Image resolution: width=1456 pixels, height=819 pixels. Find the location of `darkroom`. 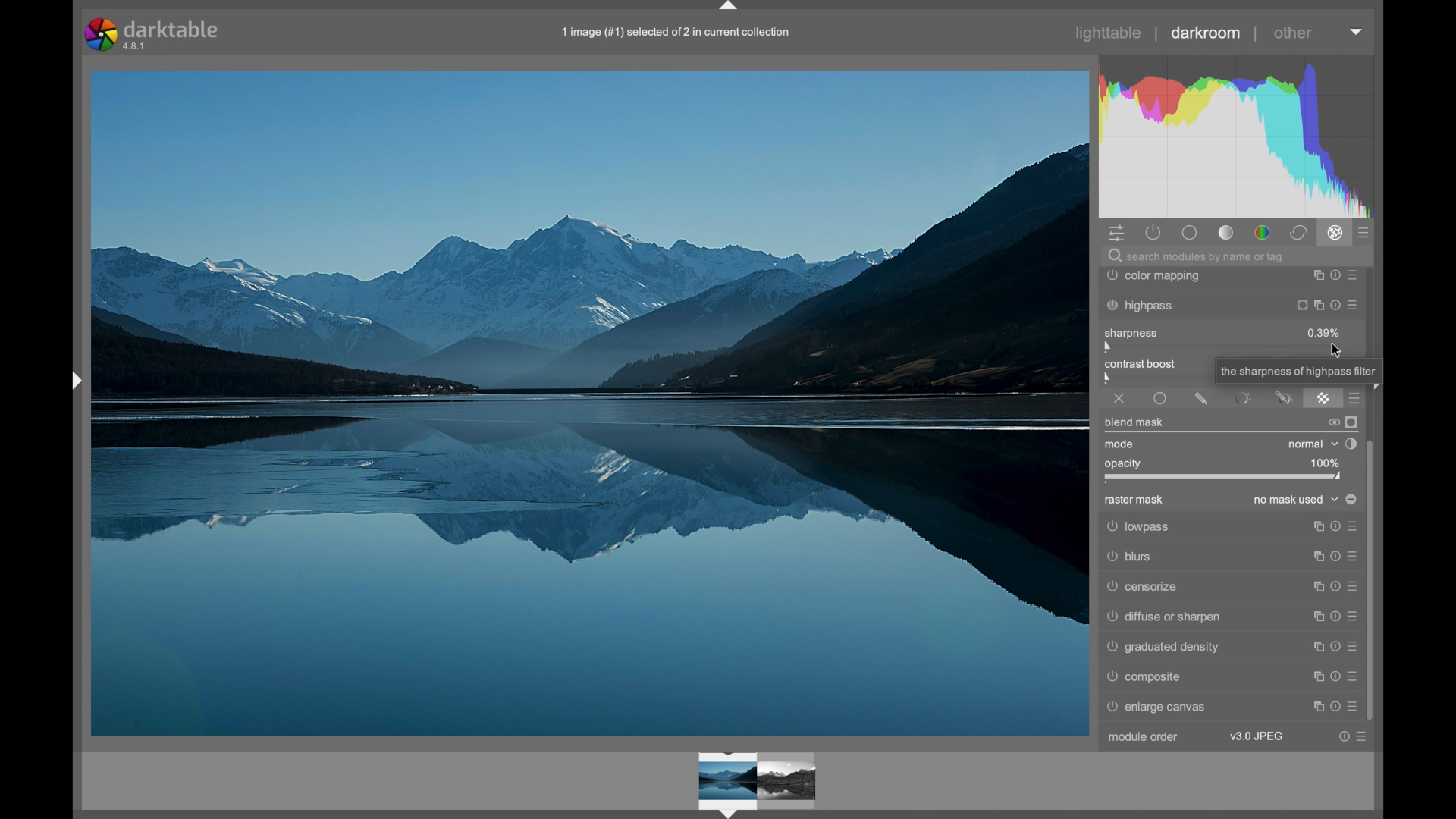

darkroom is located at coordinates (1206, 33).